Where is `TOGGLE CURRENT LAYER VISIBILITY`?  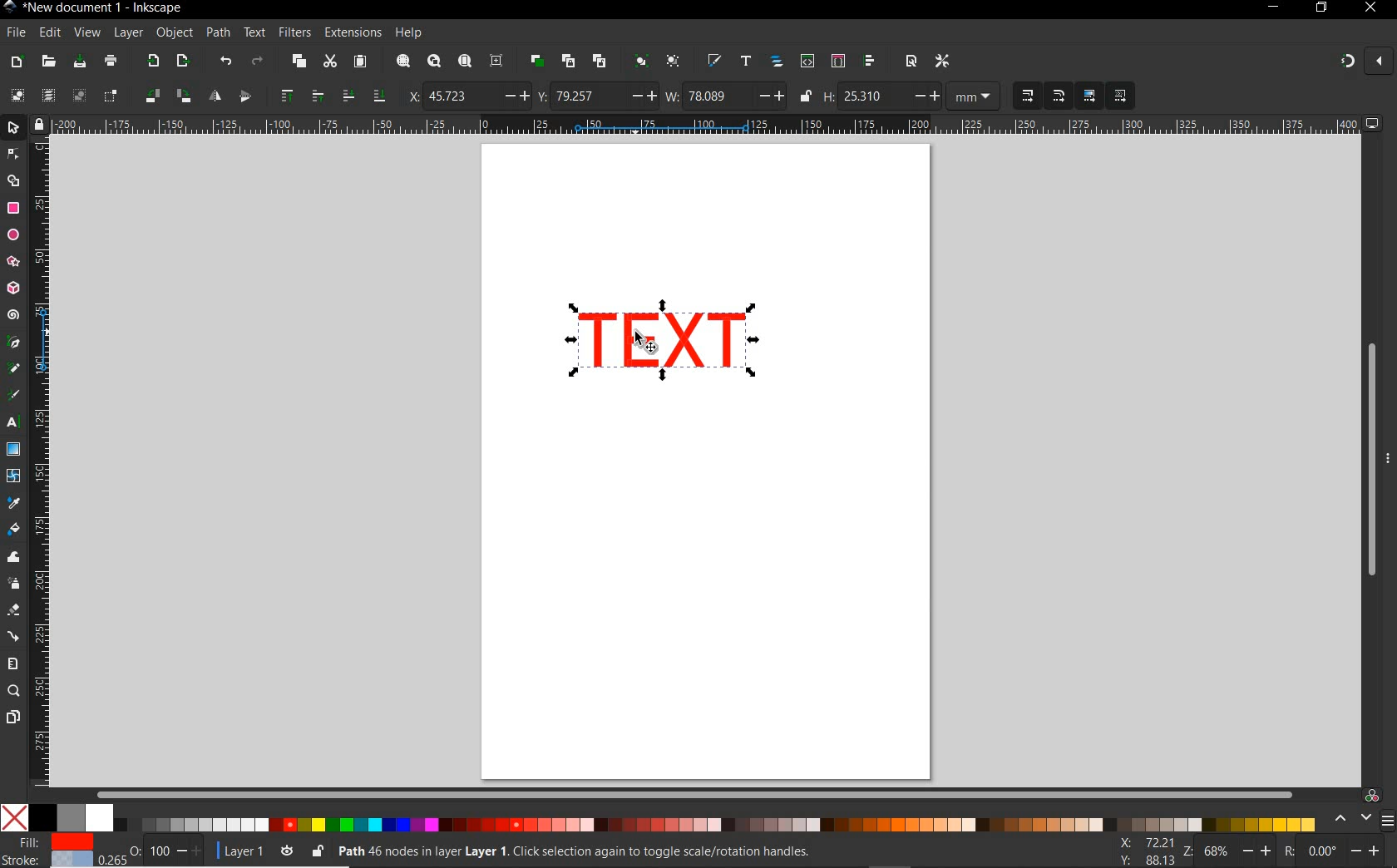
TOGGLE CURRENT LAYER VISIBILITY is located at coordinates (287, 851).